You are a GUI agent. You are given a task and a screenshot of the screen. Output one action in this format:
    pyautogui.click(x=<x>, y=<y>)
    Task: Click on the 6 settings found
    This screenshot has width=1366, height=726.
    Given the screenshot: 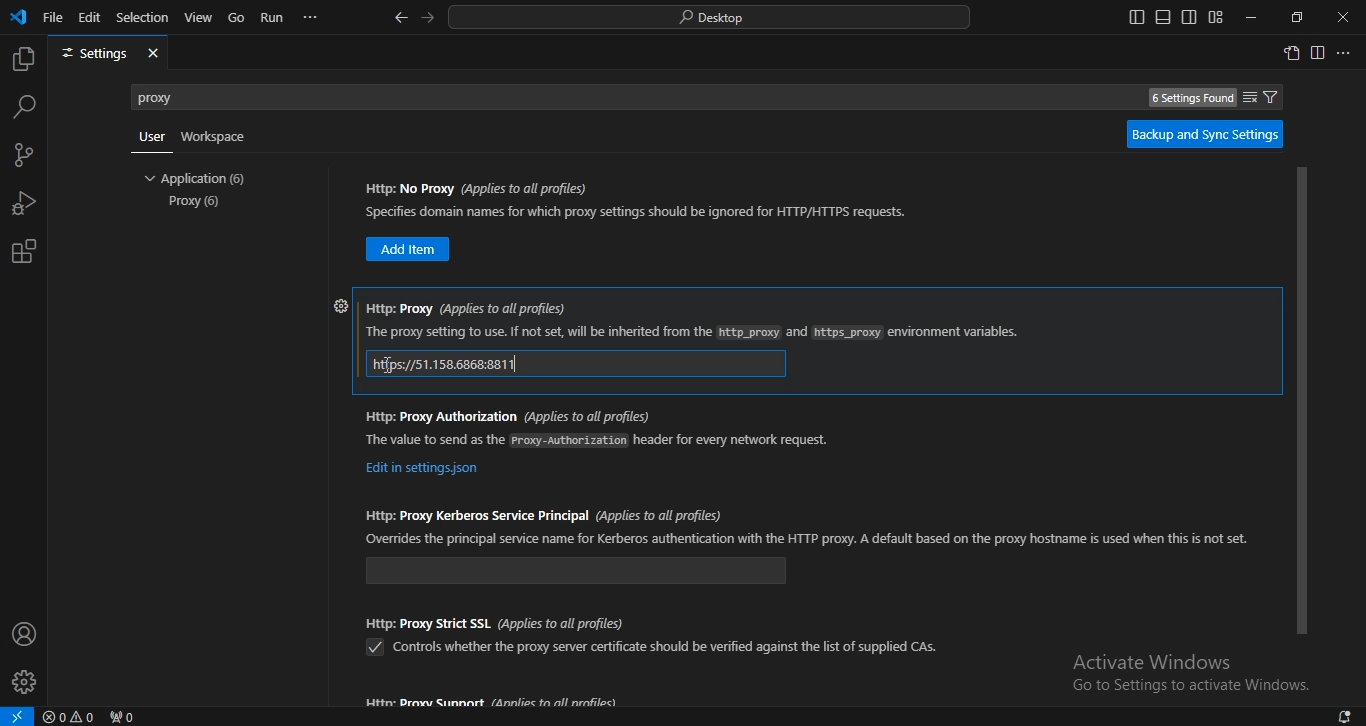 What is the action you would take?
    pyautogui.click(x=1187, y=100)
    